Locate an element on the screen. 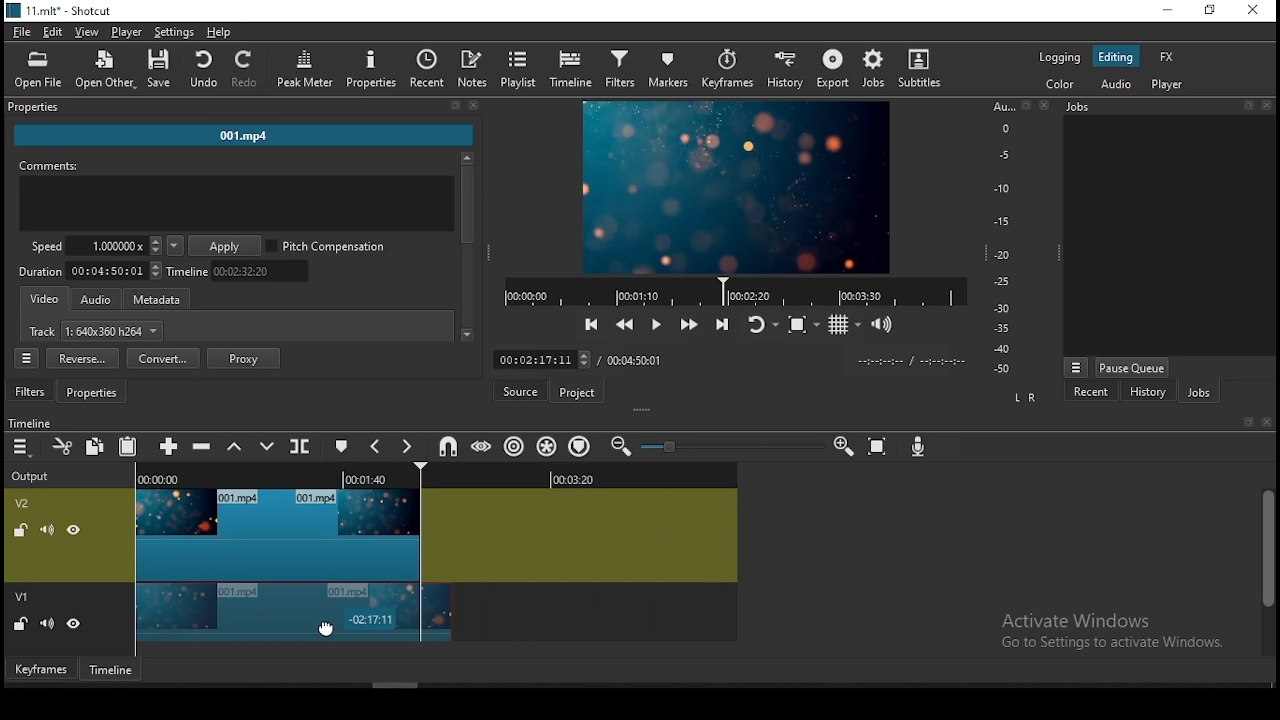  toggle zoom is located at coordinates (802, 323).